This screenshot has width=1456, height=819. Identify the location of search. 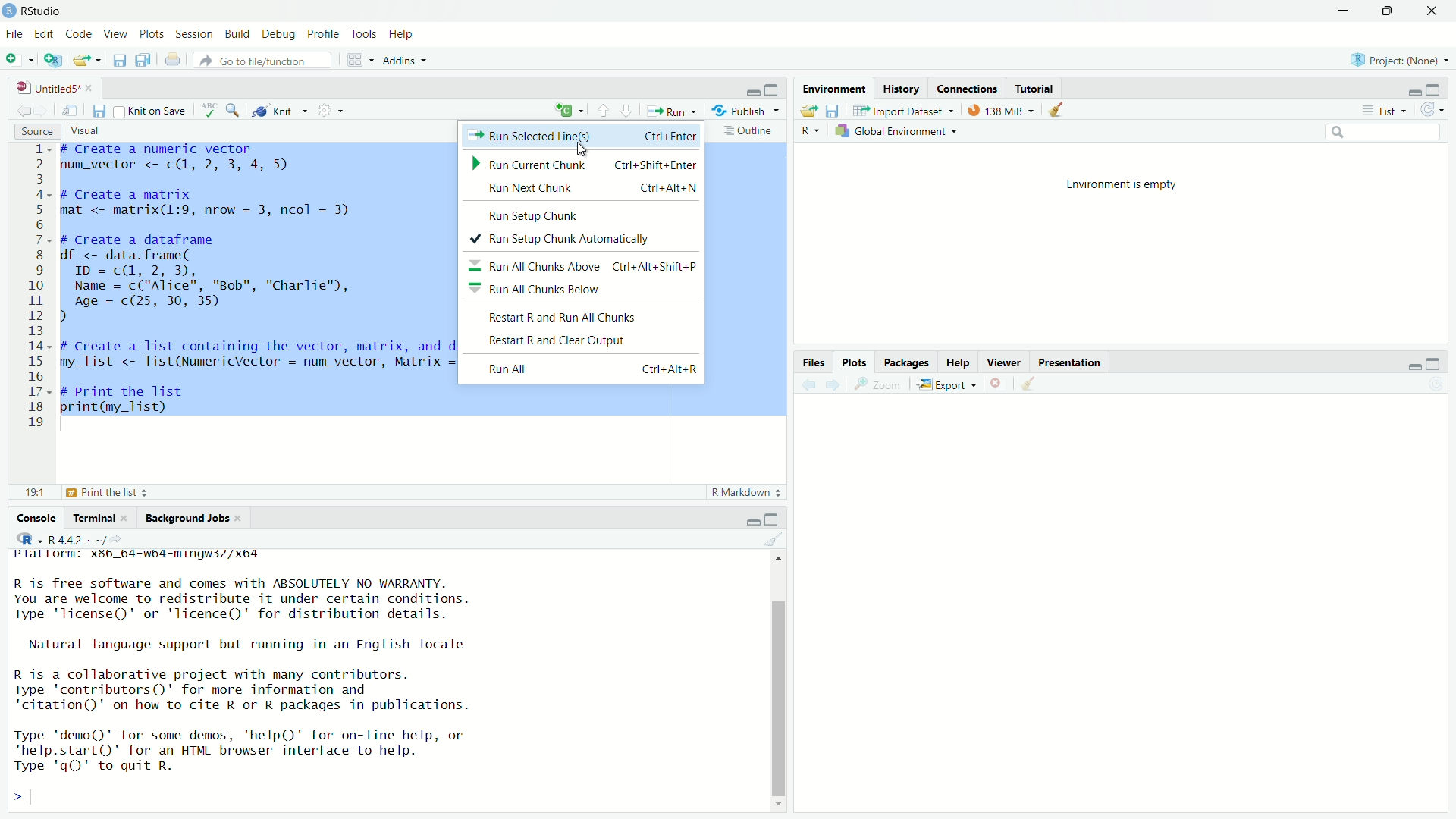
(235, 111).